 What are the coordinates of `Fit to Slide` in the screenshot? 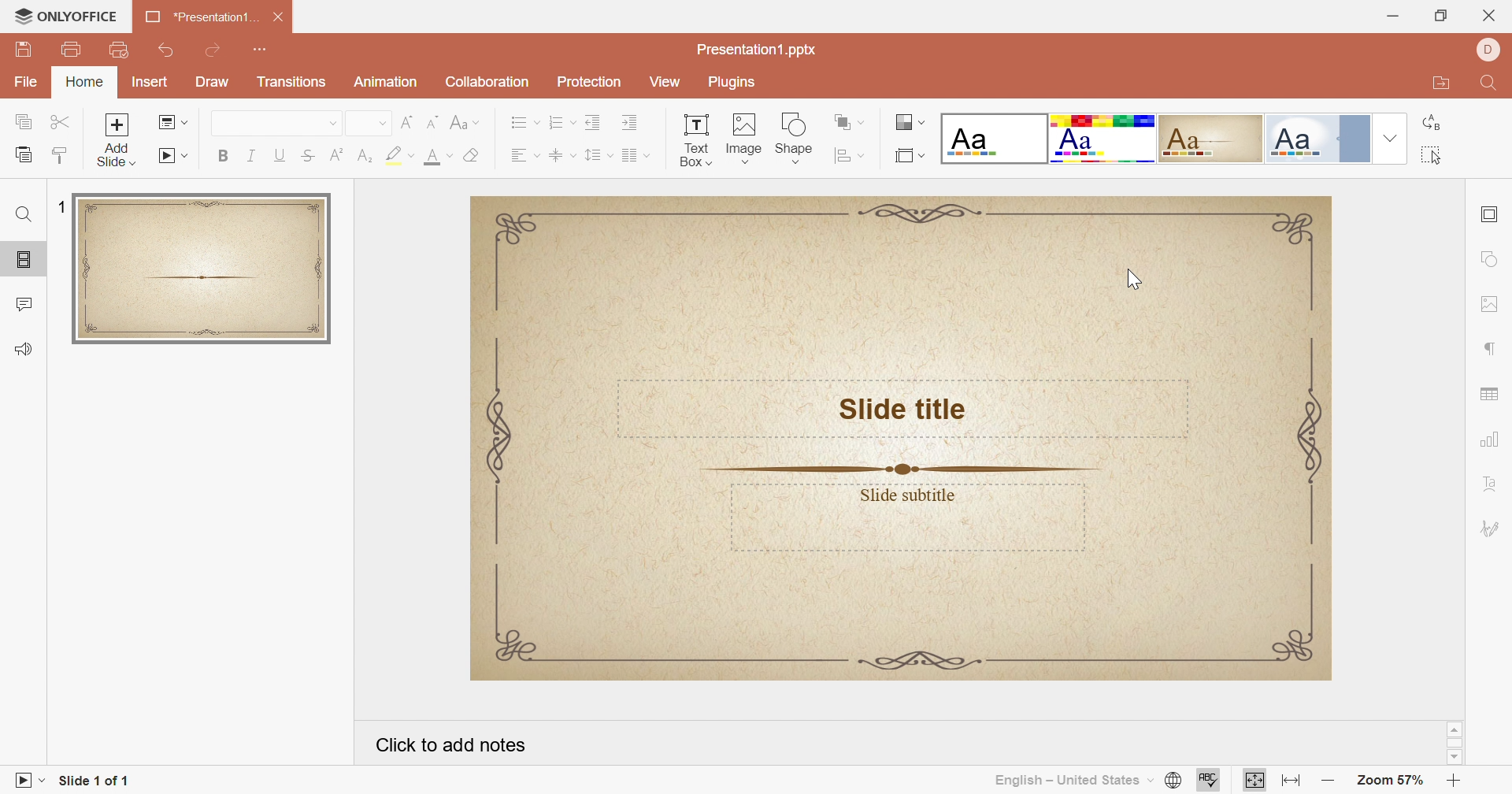 It's located at (1255, 779).